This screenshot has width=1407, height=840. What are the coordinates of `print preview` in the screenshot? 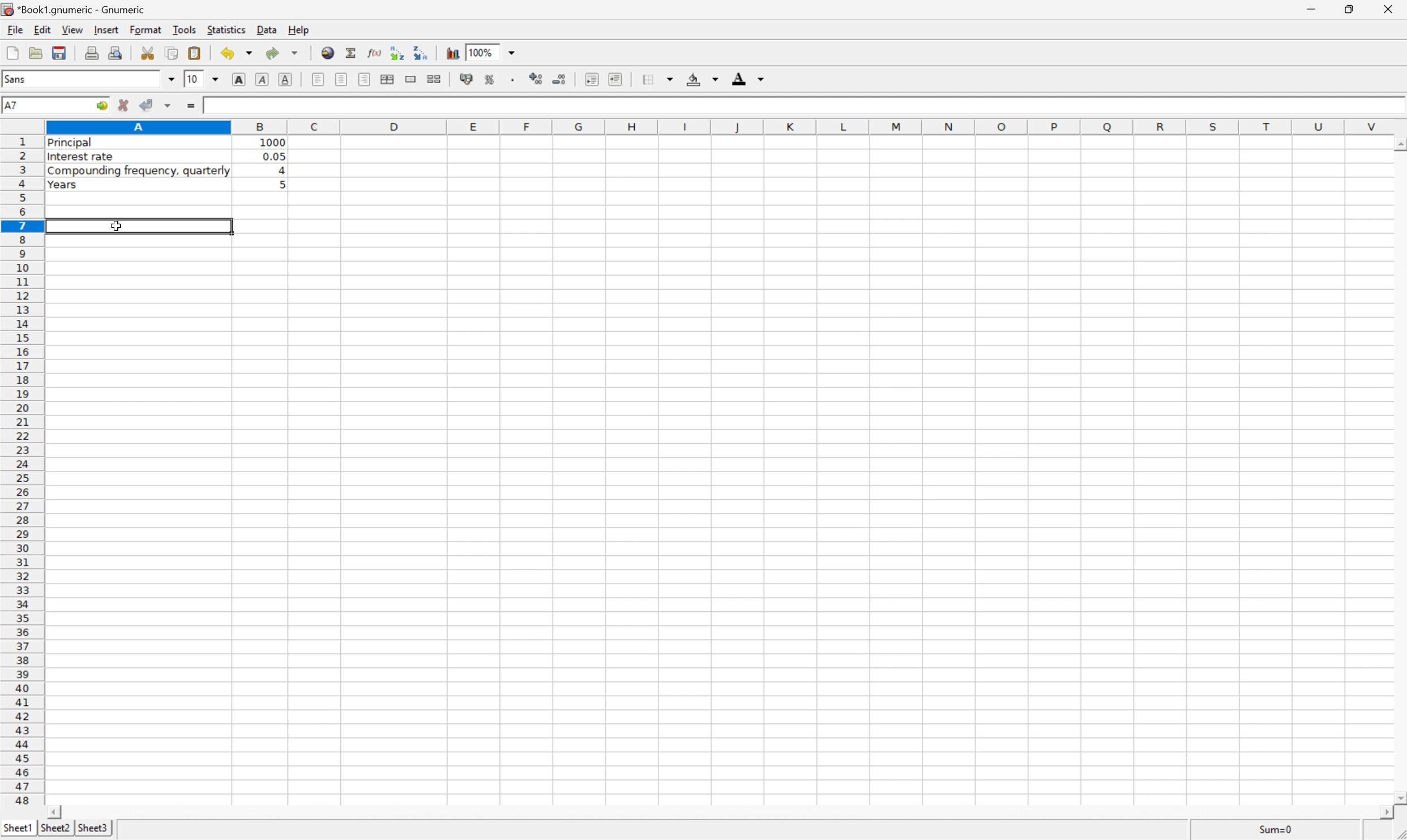 It's located at (116, 53).